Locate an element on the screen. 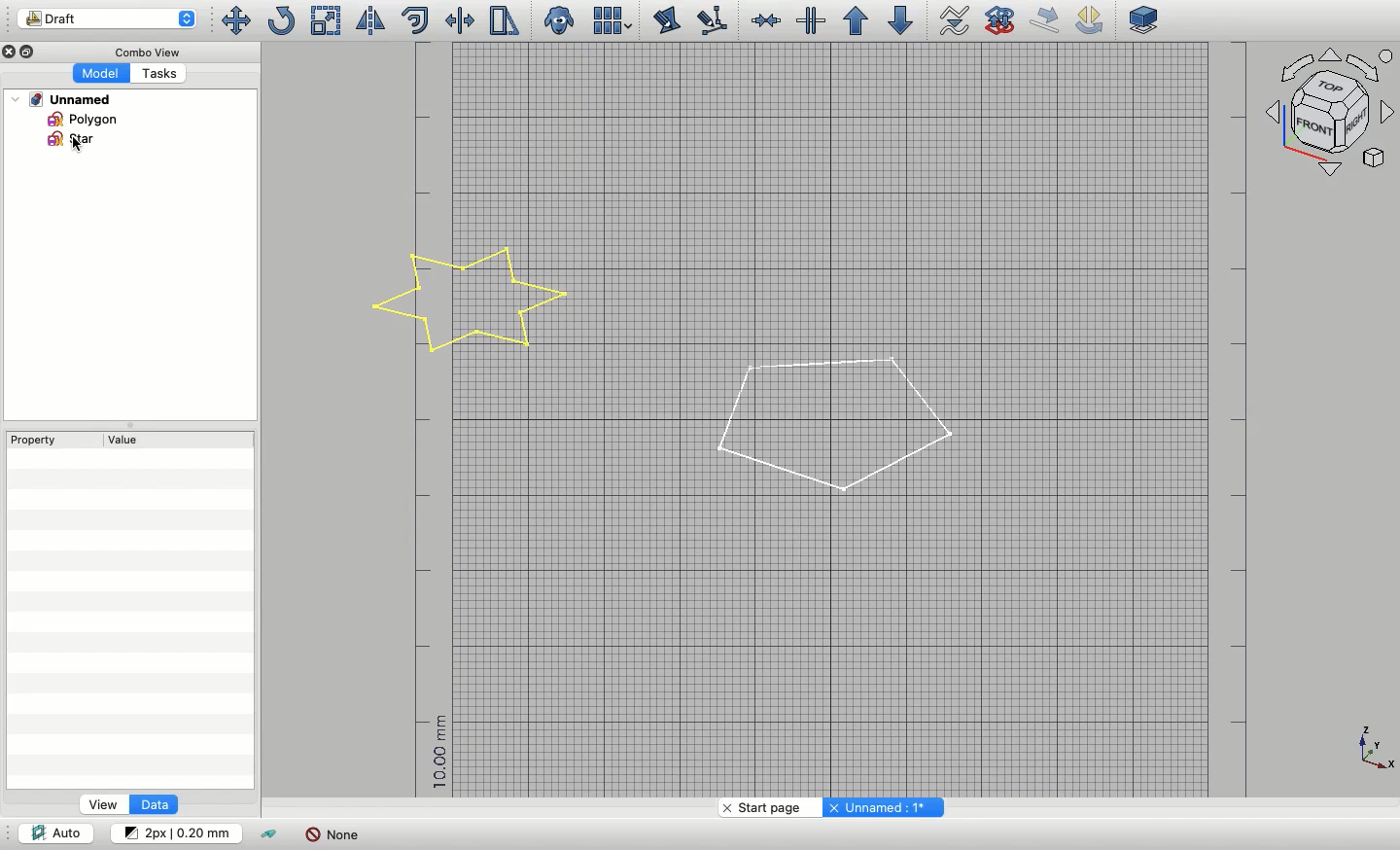  Unnamed: 1 is located at coordinates (881, 807).